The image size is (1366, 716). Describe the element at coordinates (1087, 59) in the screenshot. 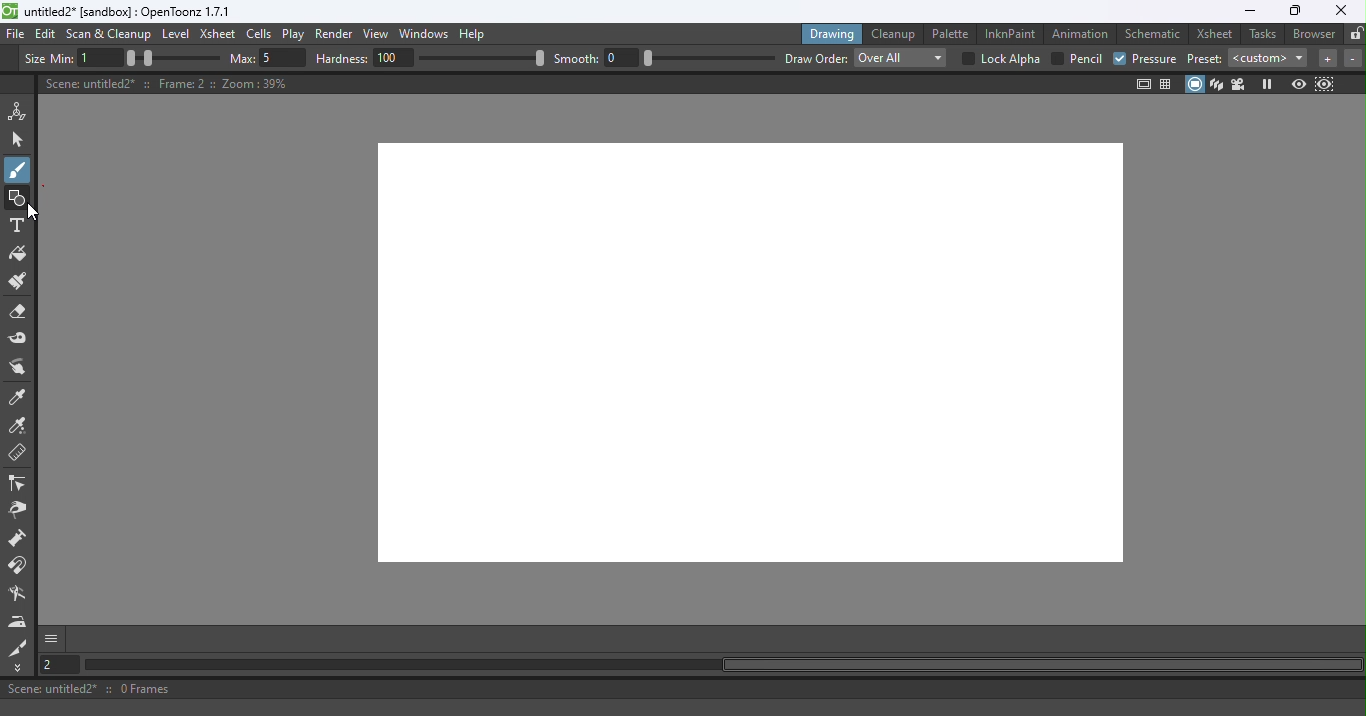

I see `Pencil` at that location.